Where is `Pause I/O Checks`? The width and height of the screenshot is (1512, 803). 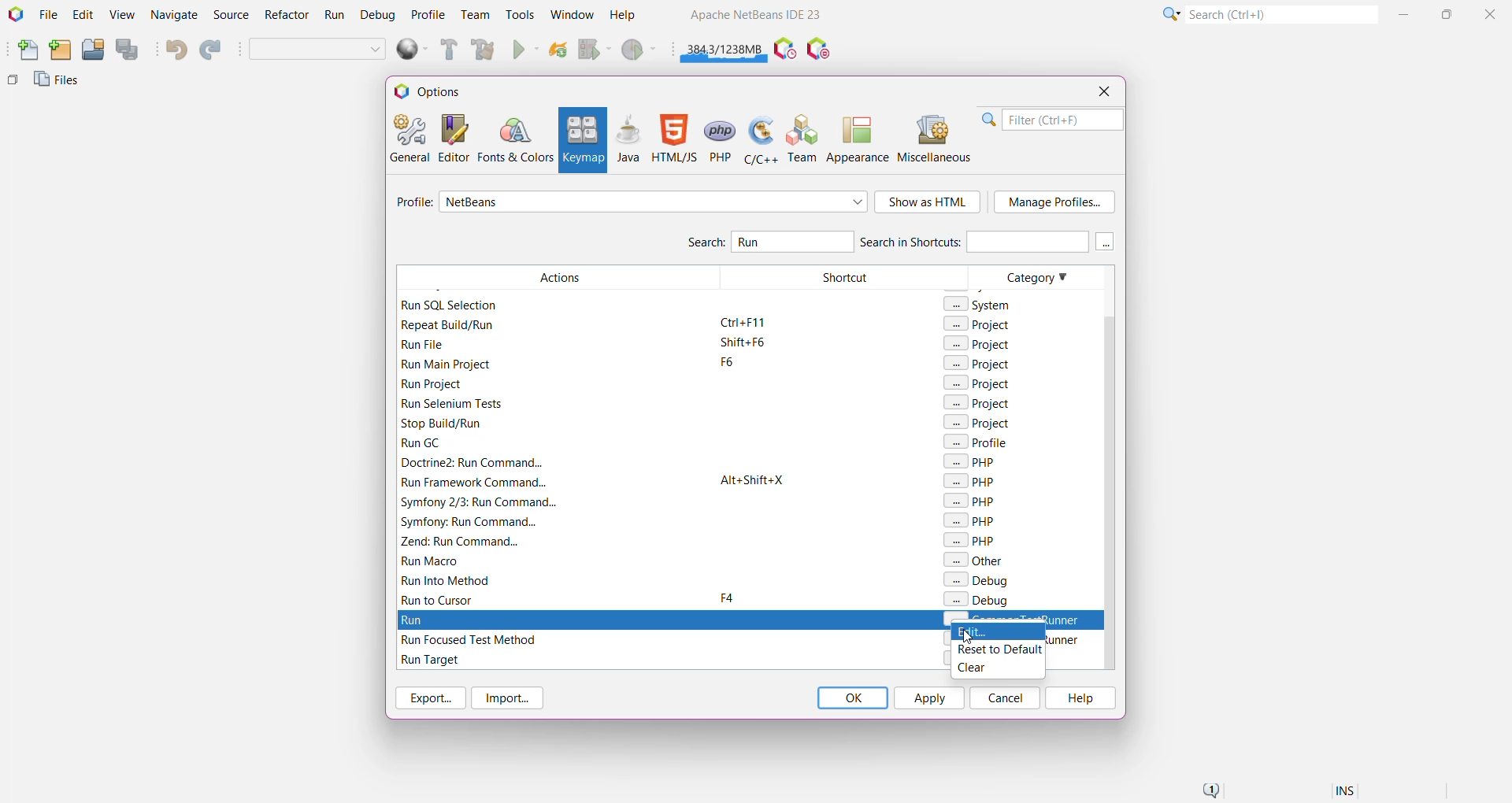
Pause I/O Checks is located at coordinates (820, 50).